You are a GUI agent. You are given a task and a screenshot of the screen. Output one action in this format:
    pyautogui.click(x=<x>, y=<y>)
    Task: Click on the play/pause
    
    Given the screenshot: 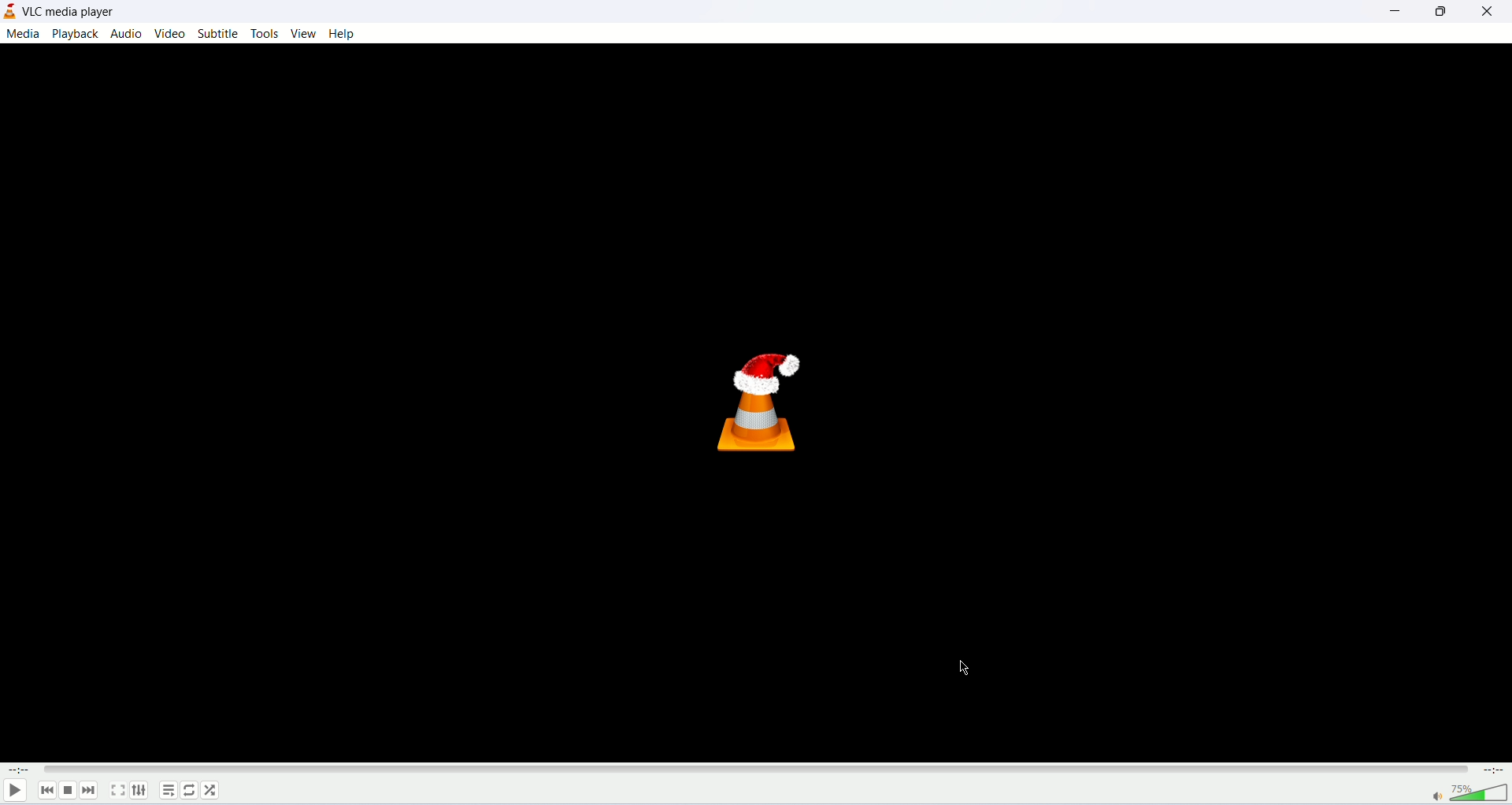 What is the action you would take?
    pyautogui.click(x=14, y=792)
    